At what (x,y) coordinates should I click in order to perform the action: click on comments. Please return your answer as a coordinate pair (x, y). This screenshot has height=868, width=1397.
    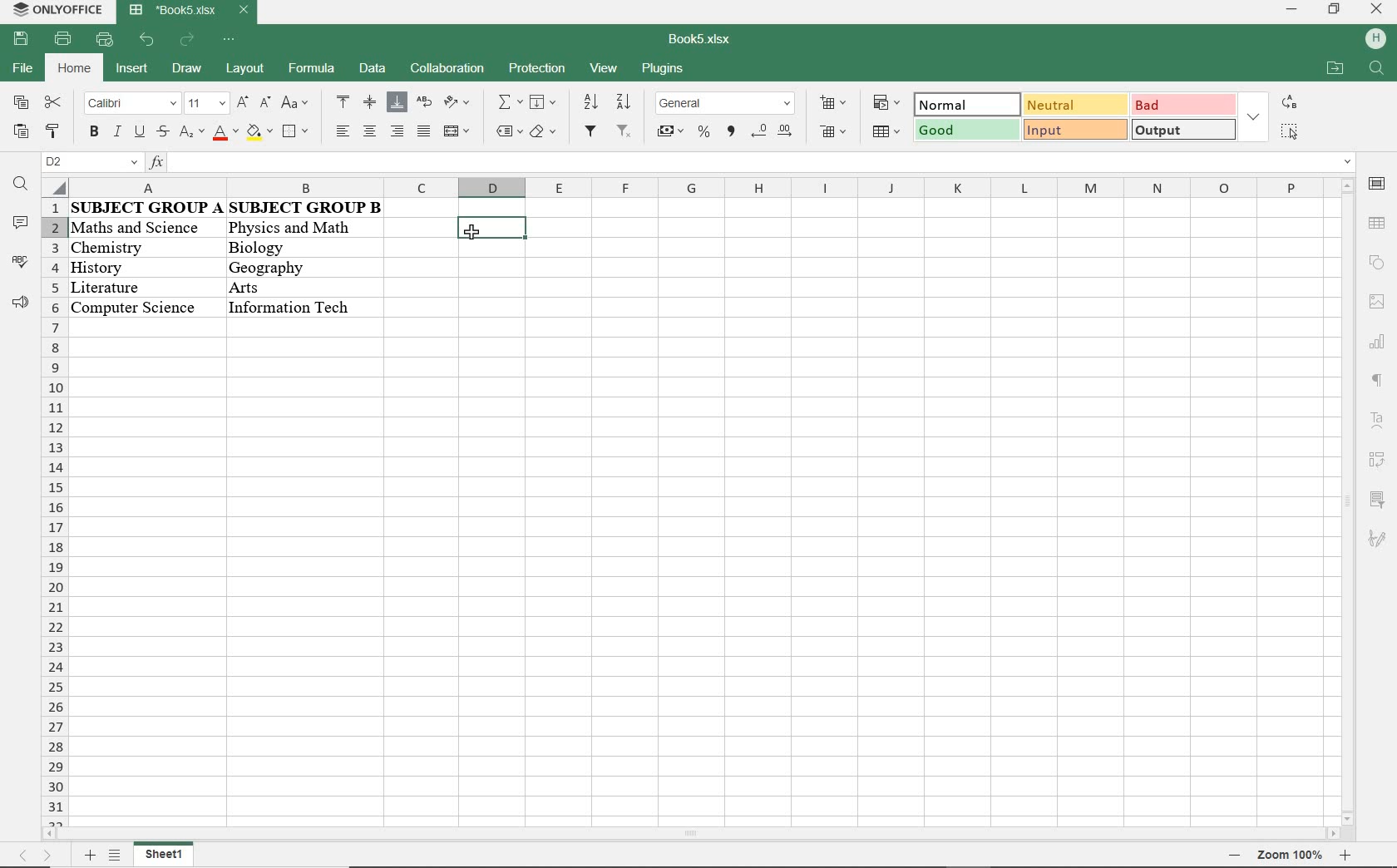
    Looking at the image, I should click on (19, 224).